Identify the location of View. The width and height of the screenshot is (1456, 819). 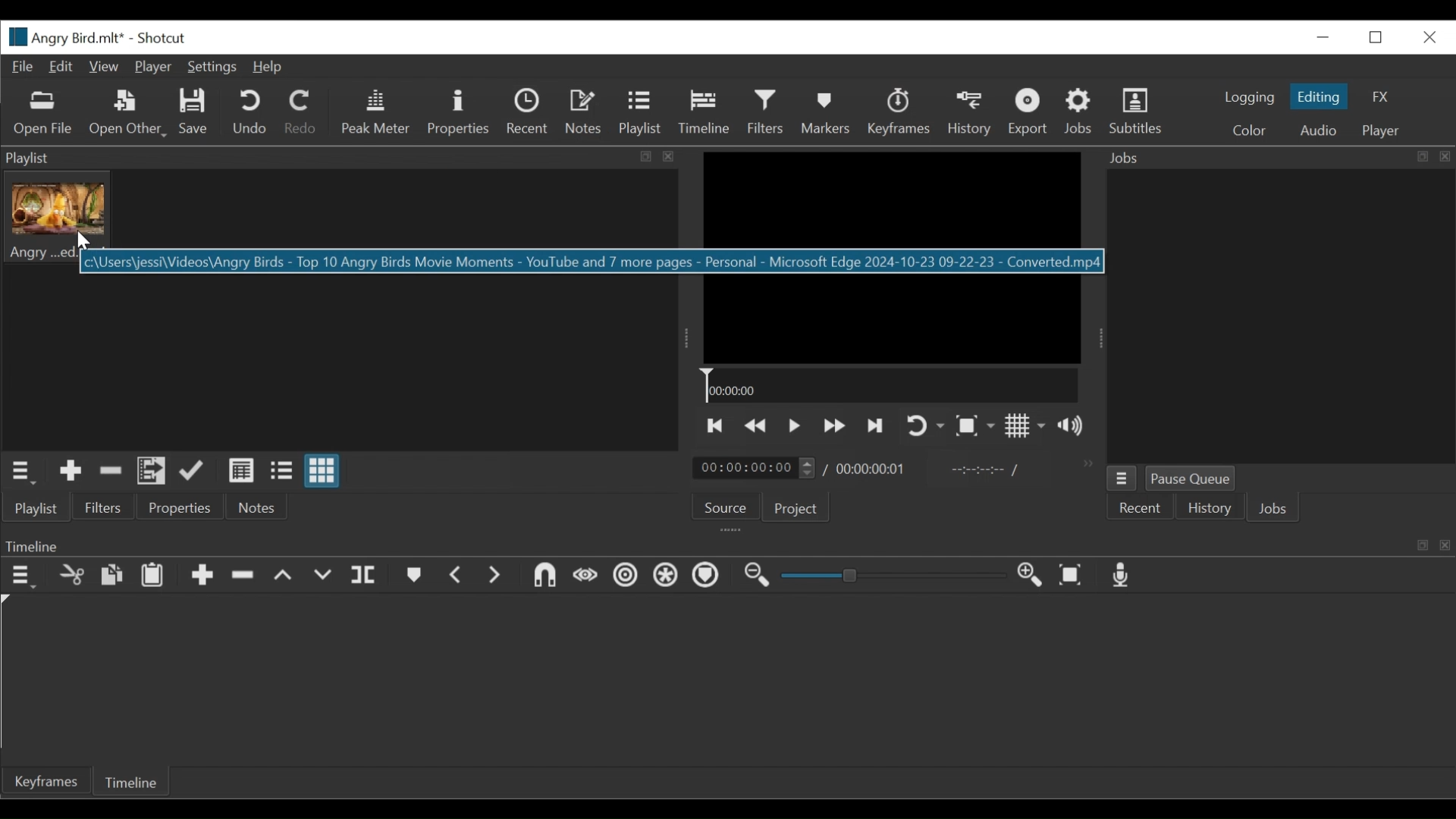
(103, 67).